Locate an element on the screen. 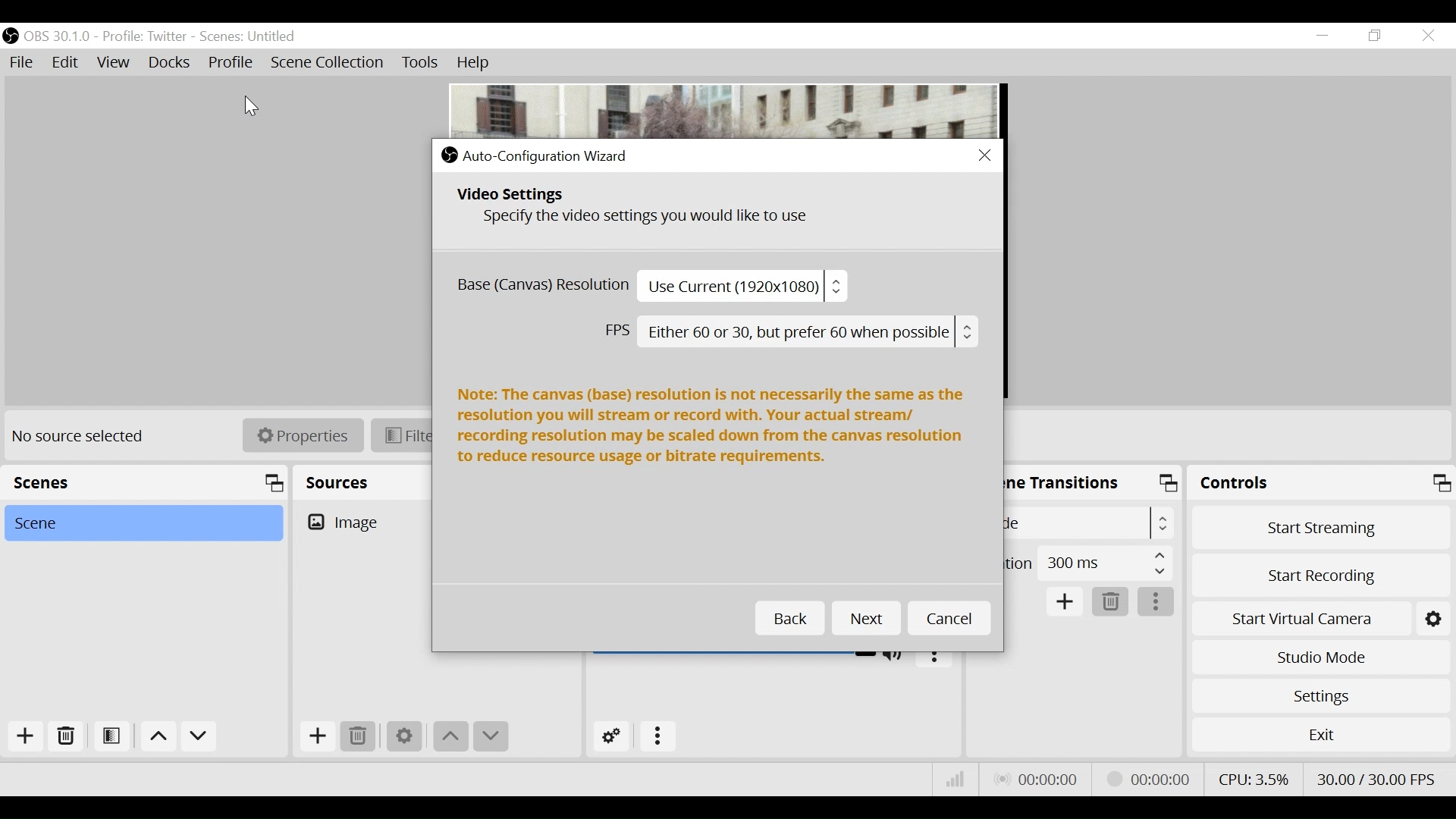 This screenshot has height=819, width=1456. Close is located at coordinates (1427, 35).